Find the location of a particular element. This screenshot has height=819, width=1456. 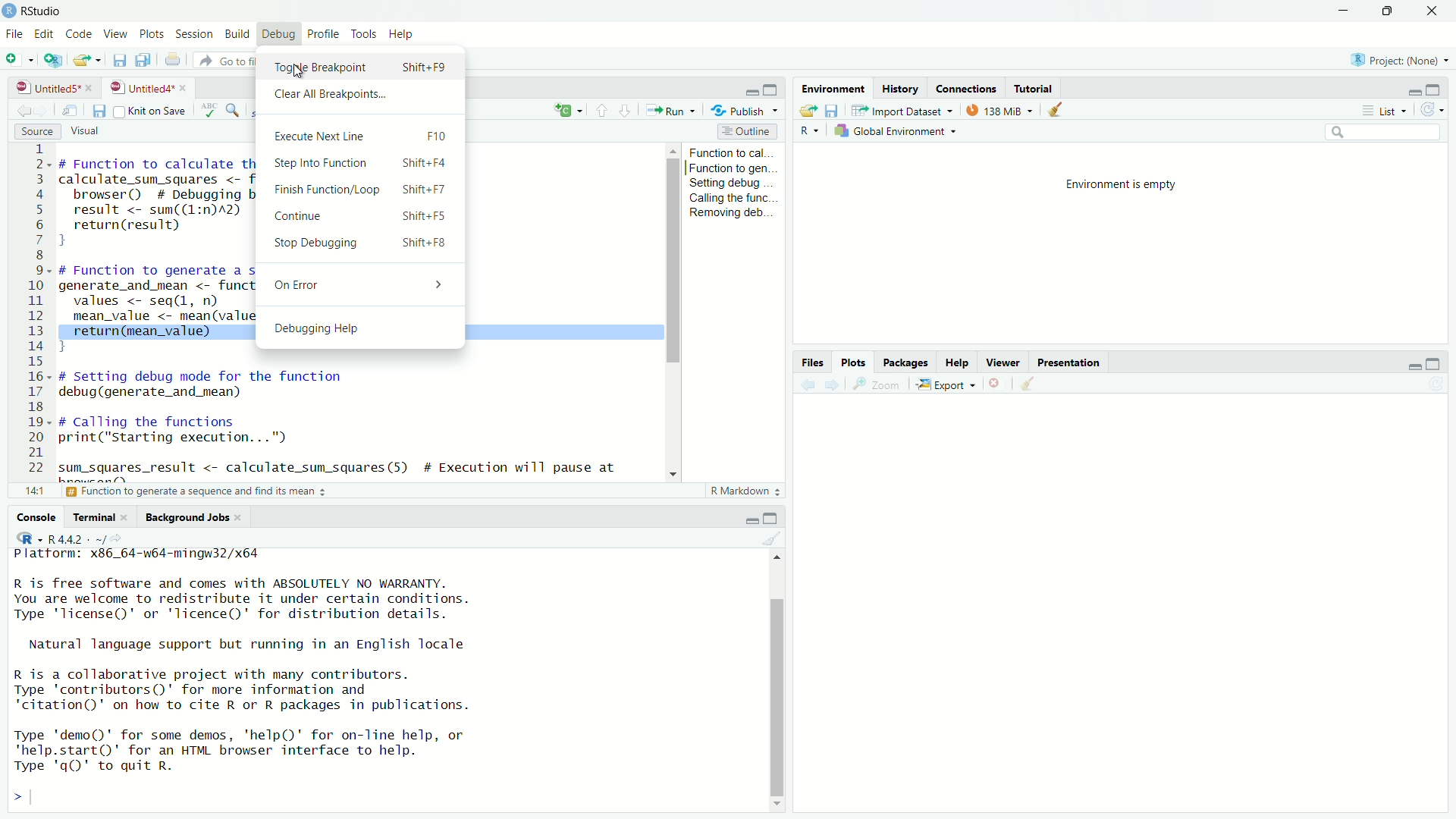

language select is located at coordinates (812, 133).